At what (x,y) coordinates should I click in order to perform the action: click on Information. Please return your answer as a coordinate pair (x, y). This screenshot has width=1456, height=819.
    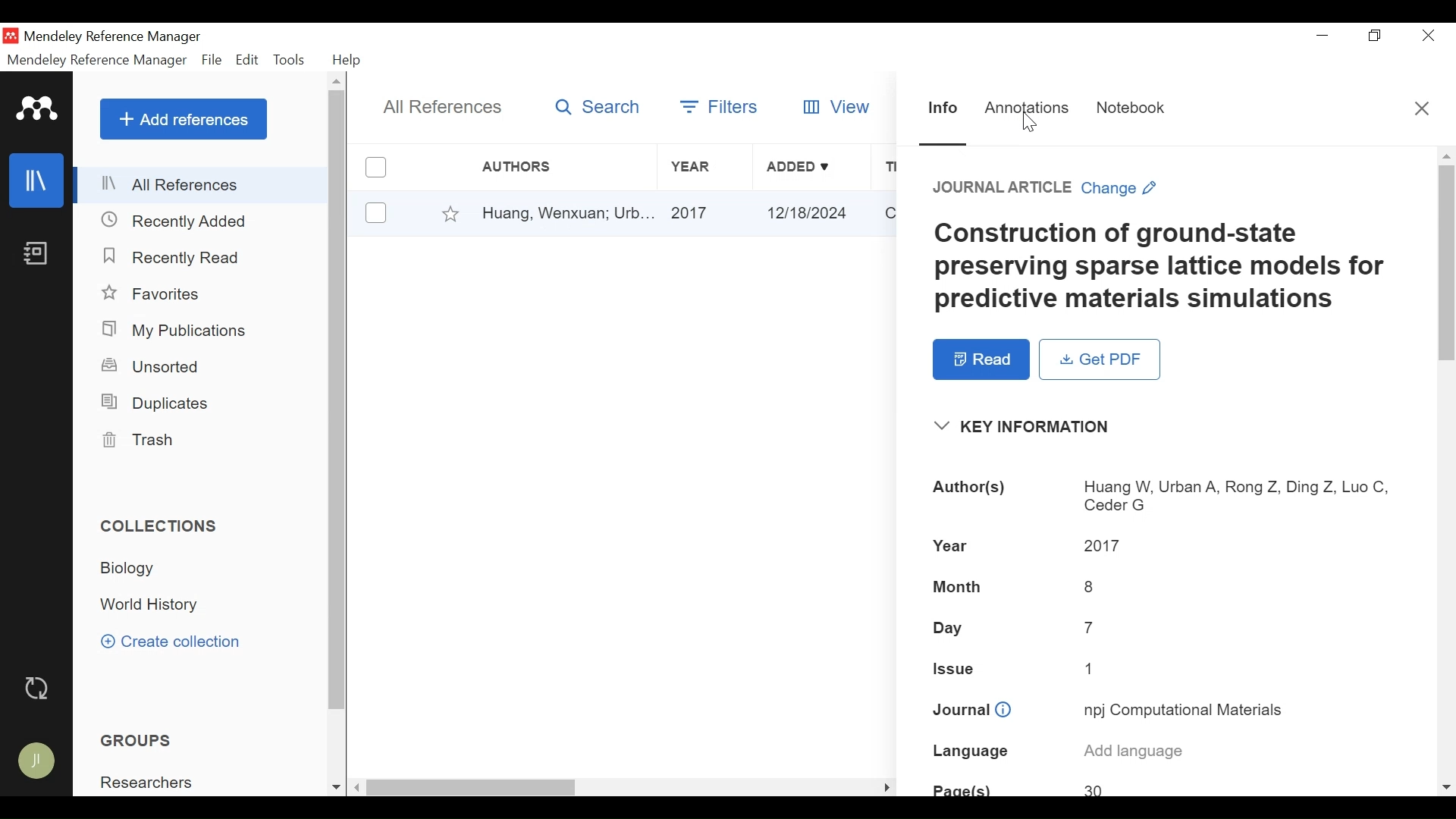
    Looking at the image, I should click on (943, 110).